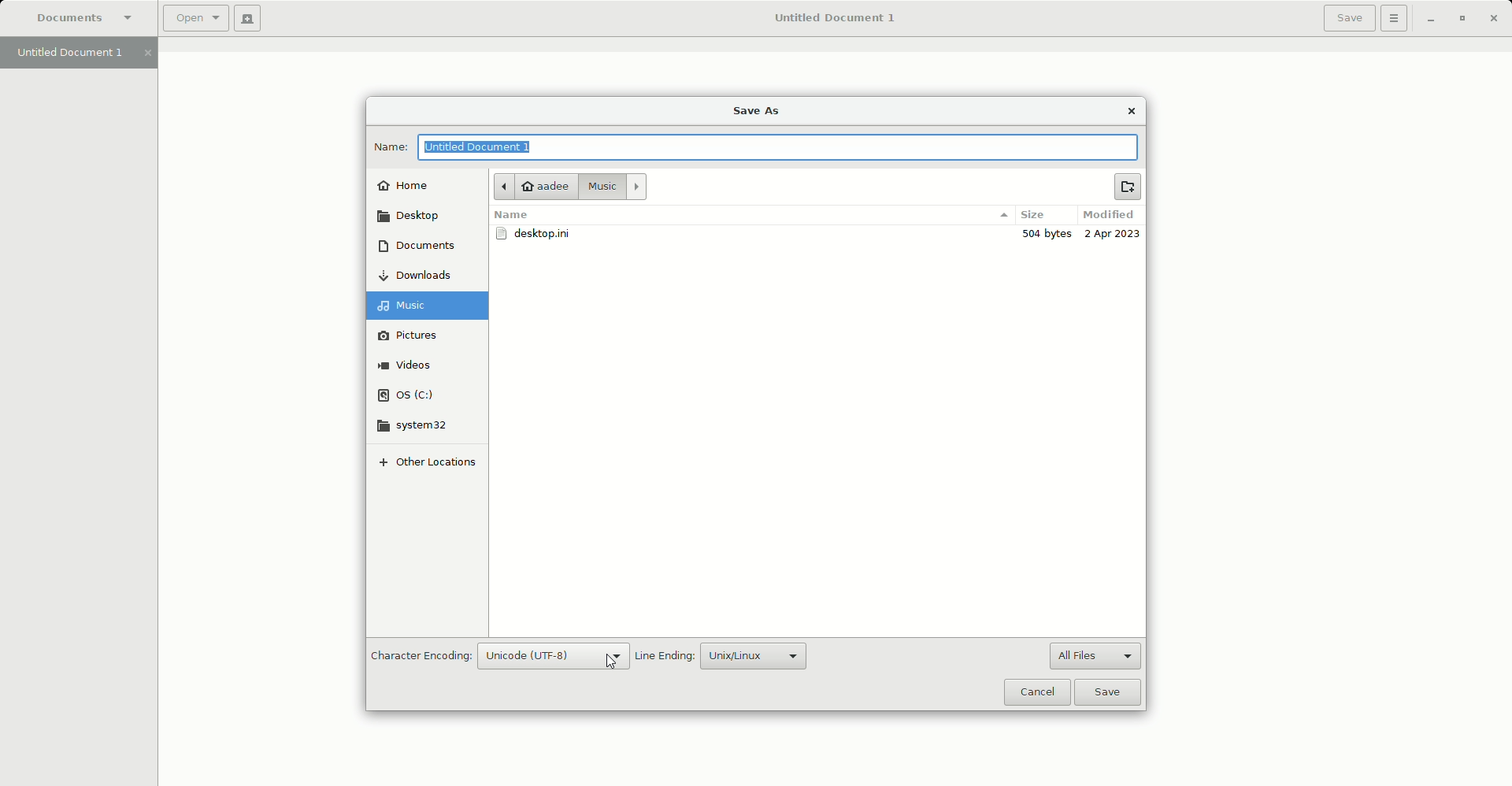 Image resolution: width=1512 pixels, height=786 pixels. Describe the element at coordinates (1002, 215) in the screenshot. I see `options` at that location.